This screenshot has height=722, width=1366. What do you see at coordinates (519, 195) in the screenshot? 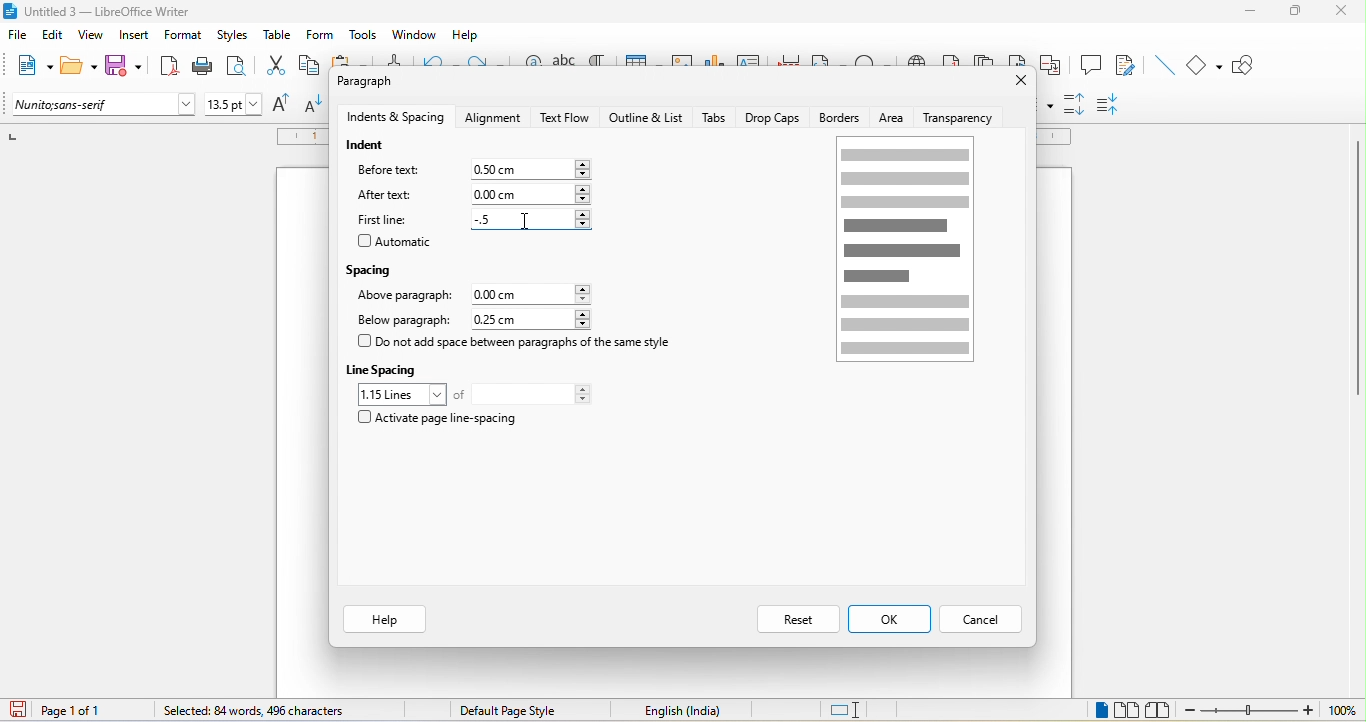
I see `0.00 cm` at bounding box center [519, 195].